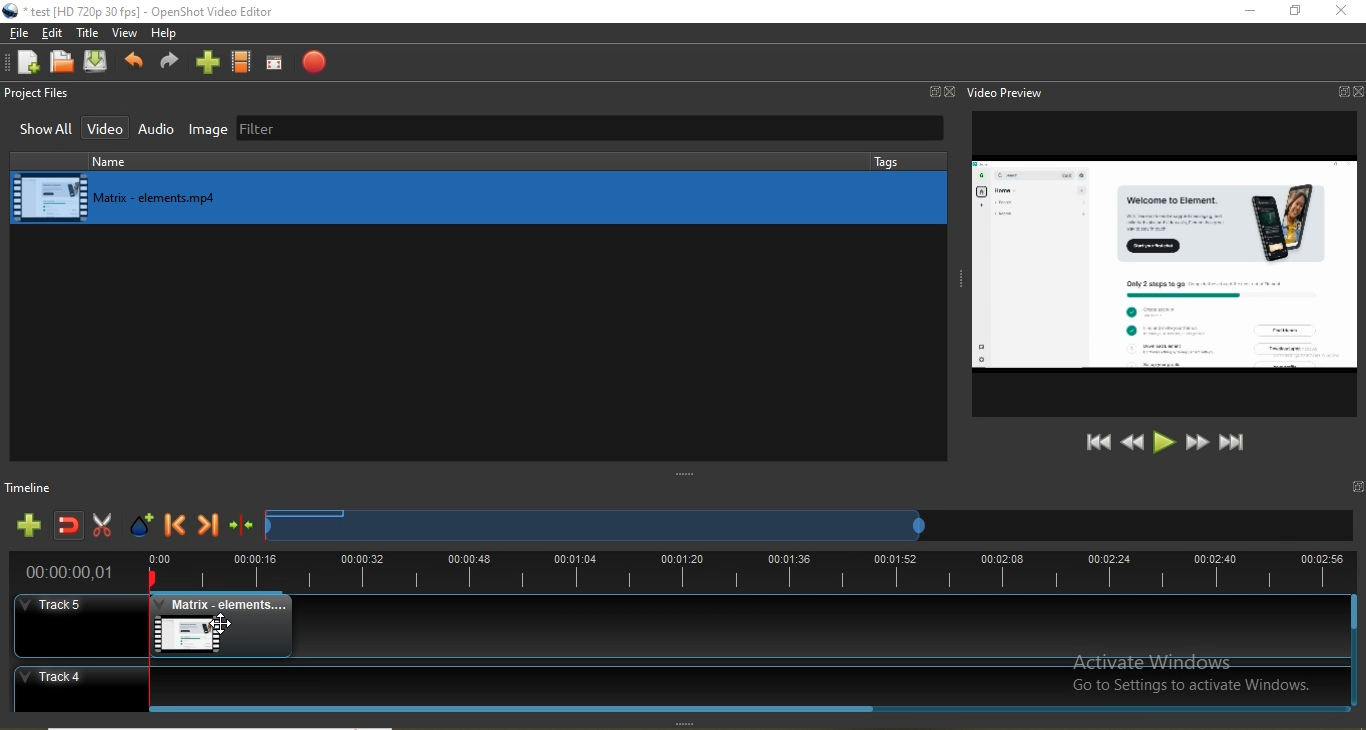 This screenshot has height=730, width=1366. I want to click on media library, so click(479, 196).